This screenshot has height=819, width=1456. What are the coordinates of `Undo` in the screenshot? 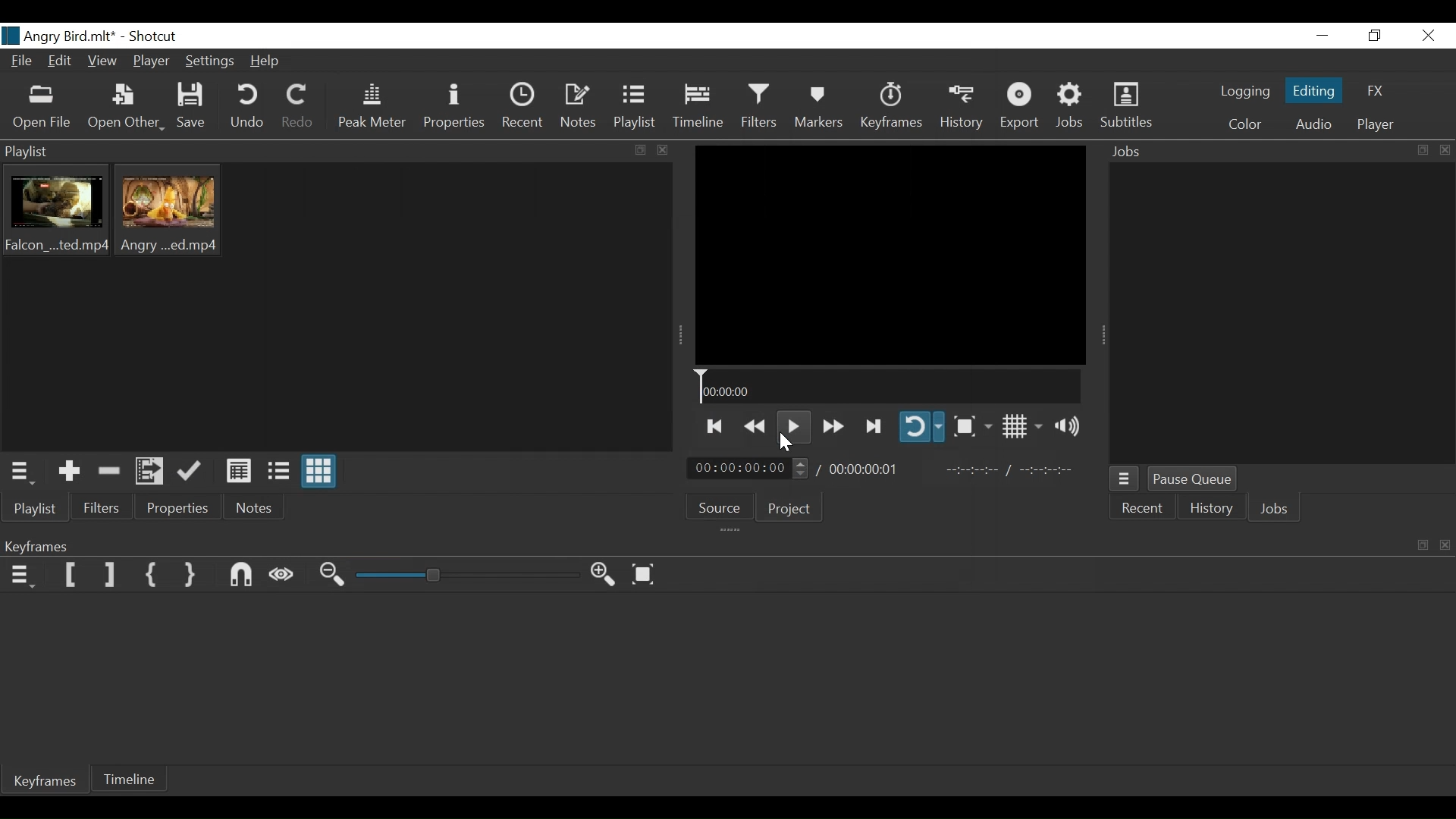 It's located at (248, 108).